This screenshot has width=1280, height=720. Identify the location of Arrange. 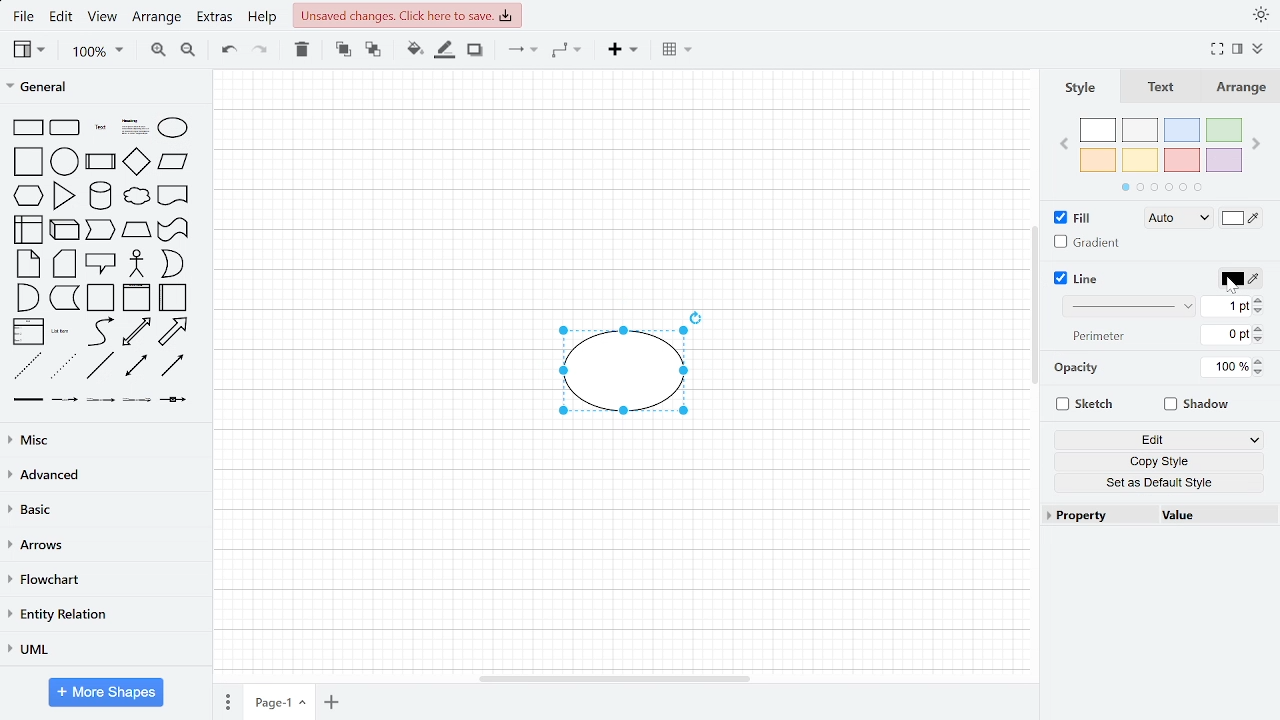
(1244, 89).